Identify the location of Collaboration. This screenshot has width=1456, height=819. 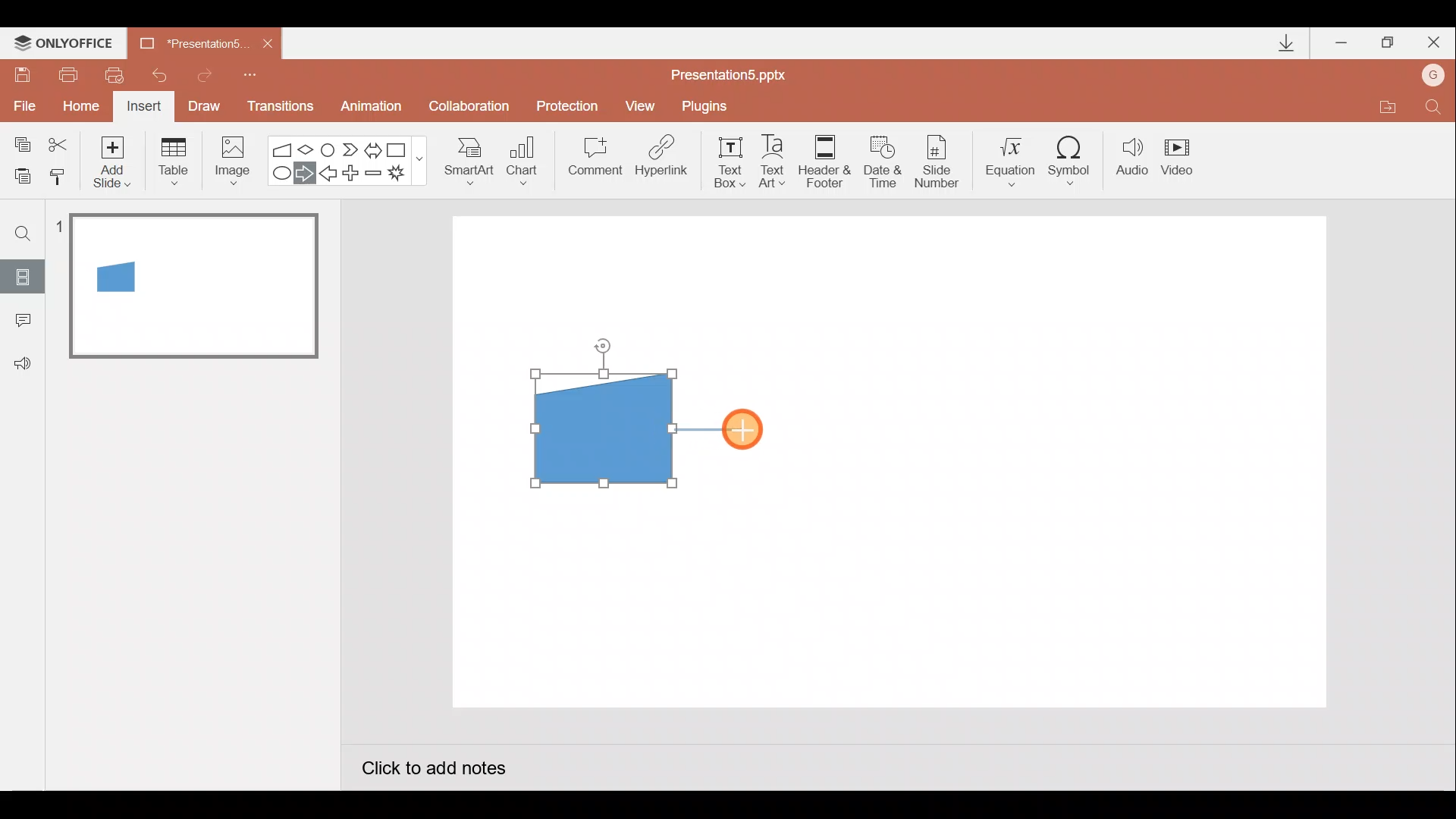
(472, 108).